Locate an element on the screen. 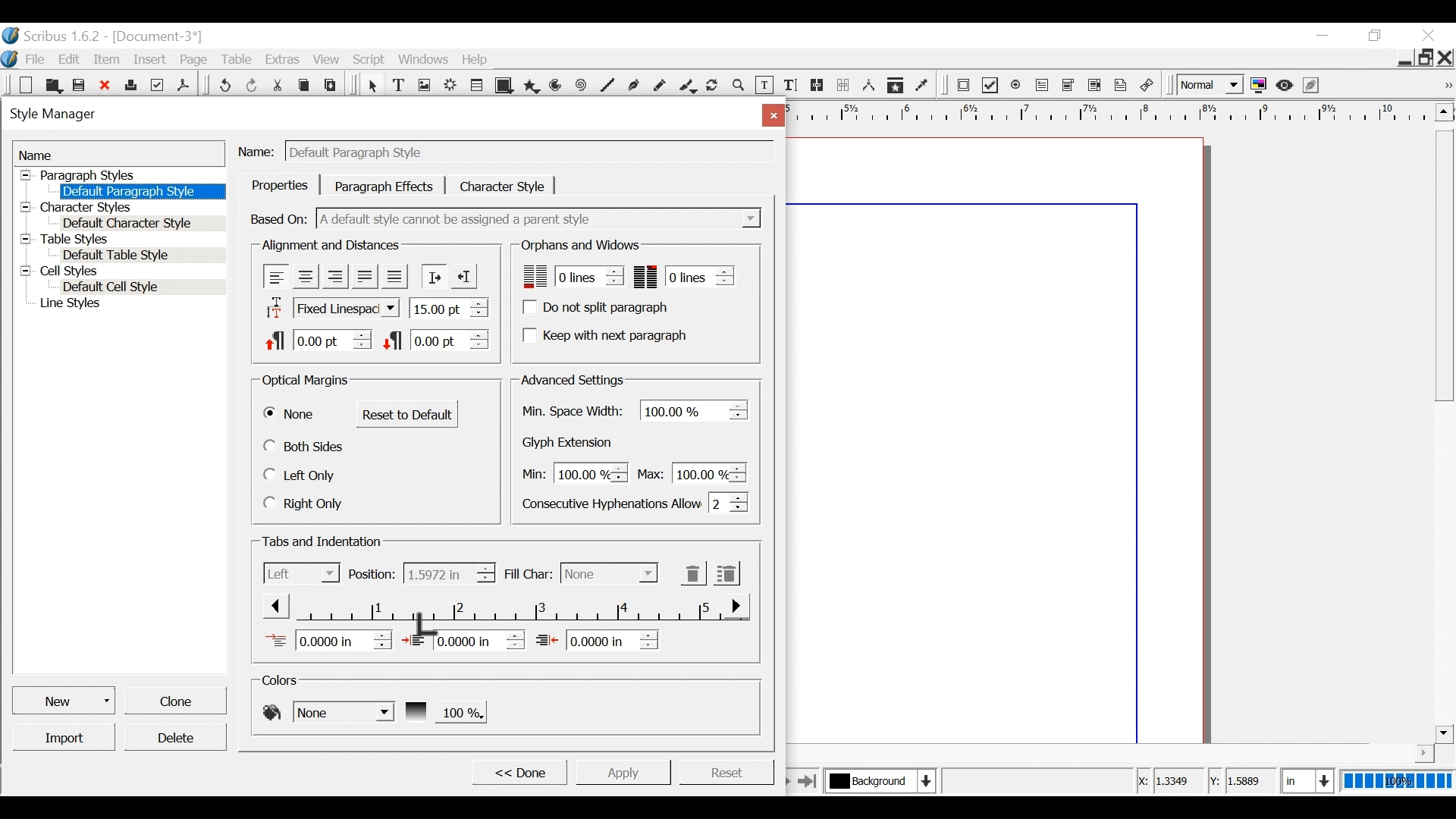 The image size is (1456, 819). Shape  is located at coordinates (506, 86).